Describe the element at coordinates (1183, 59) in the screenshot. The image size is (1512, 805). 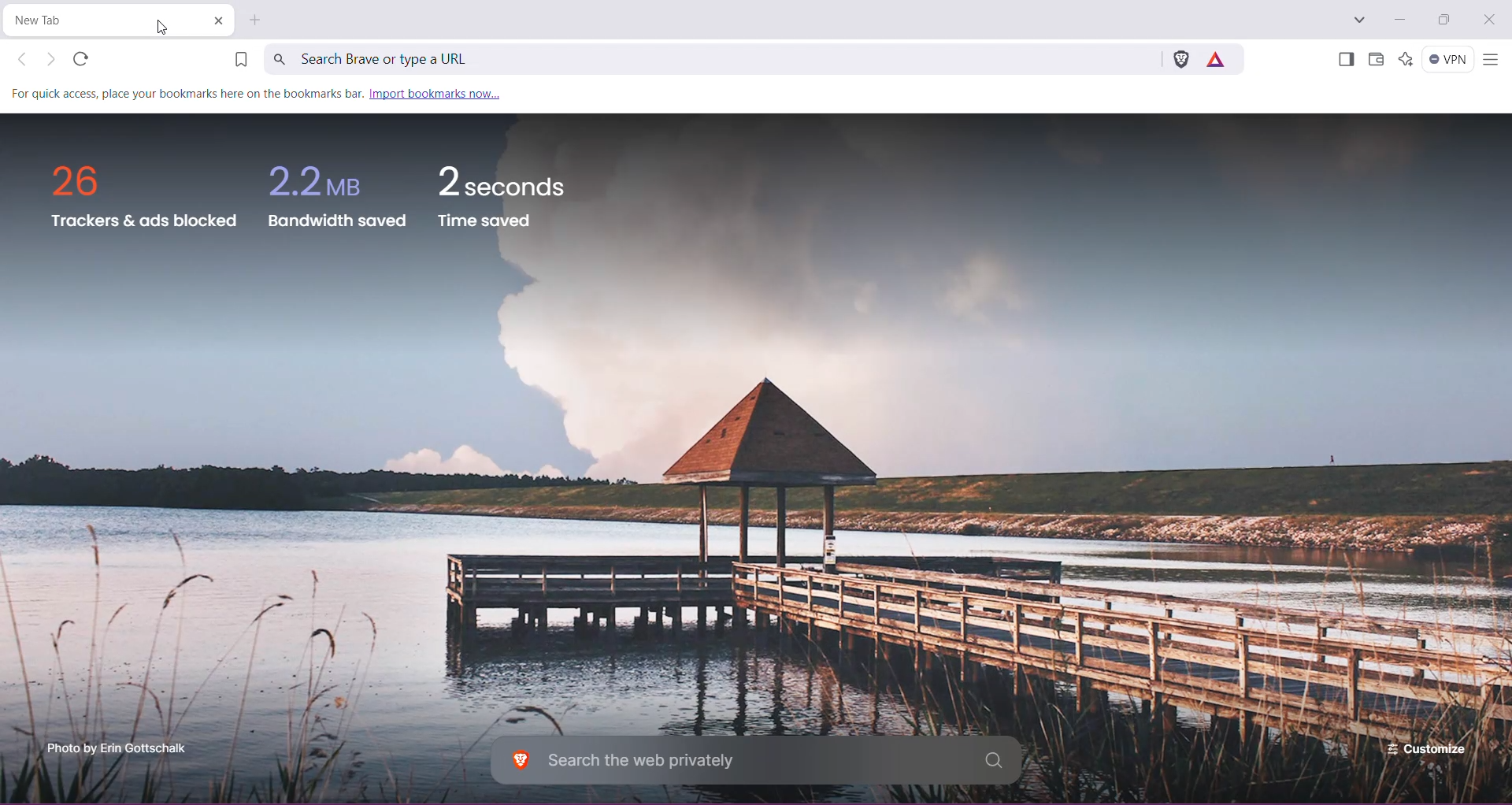
I see `Brave Shields` at that location.